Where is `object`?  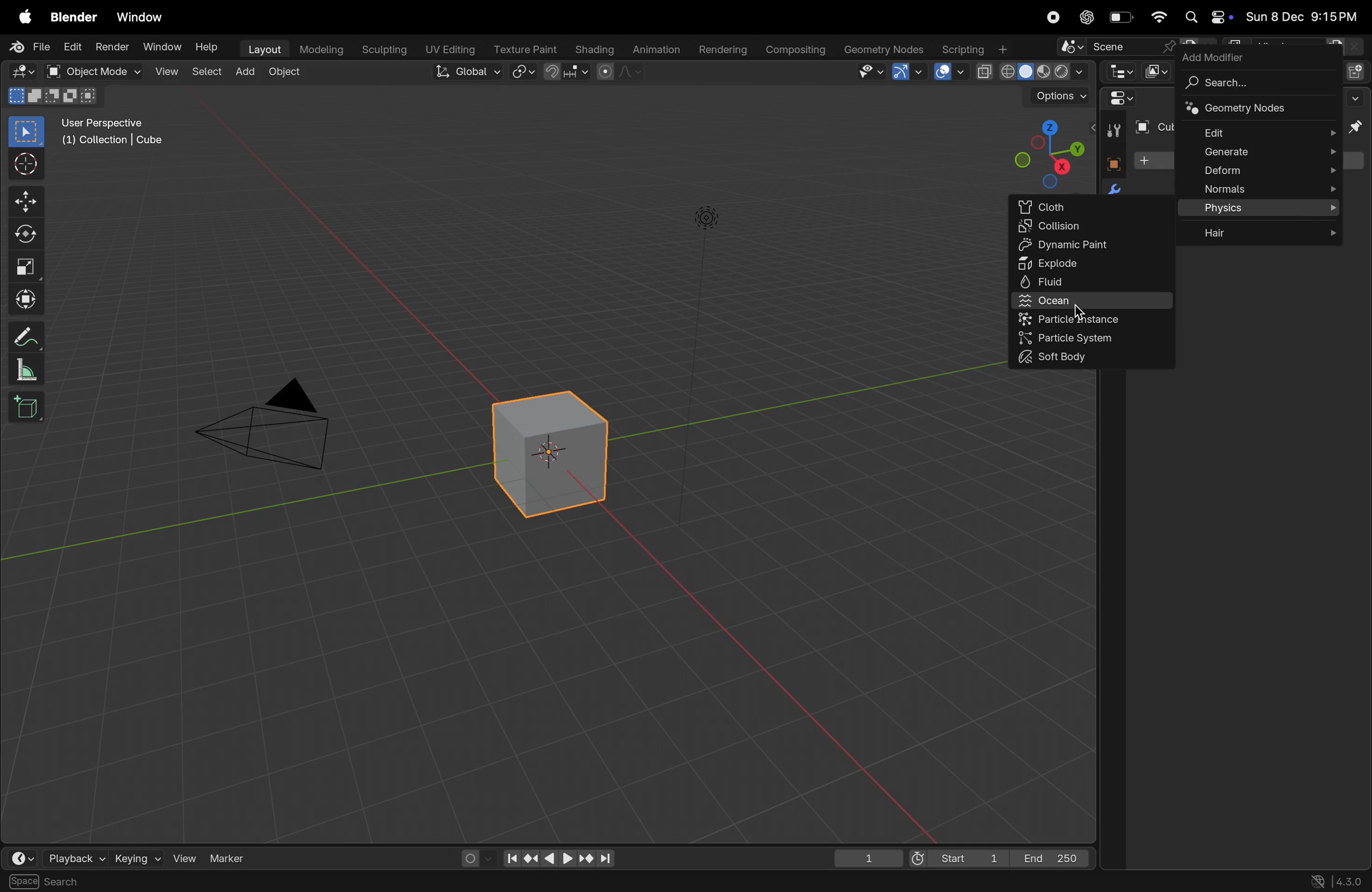
object is located at coordinates (290, 74).